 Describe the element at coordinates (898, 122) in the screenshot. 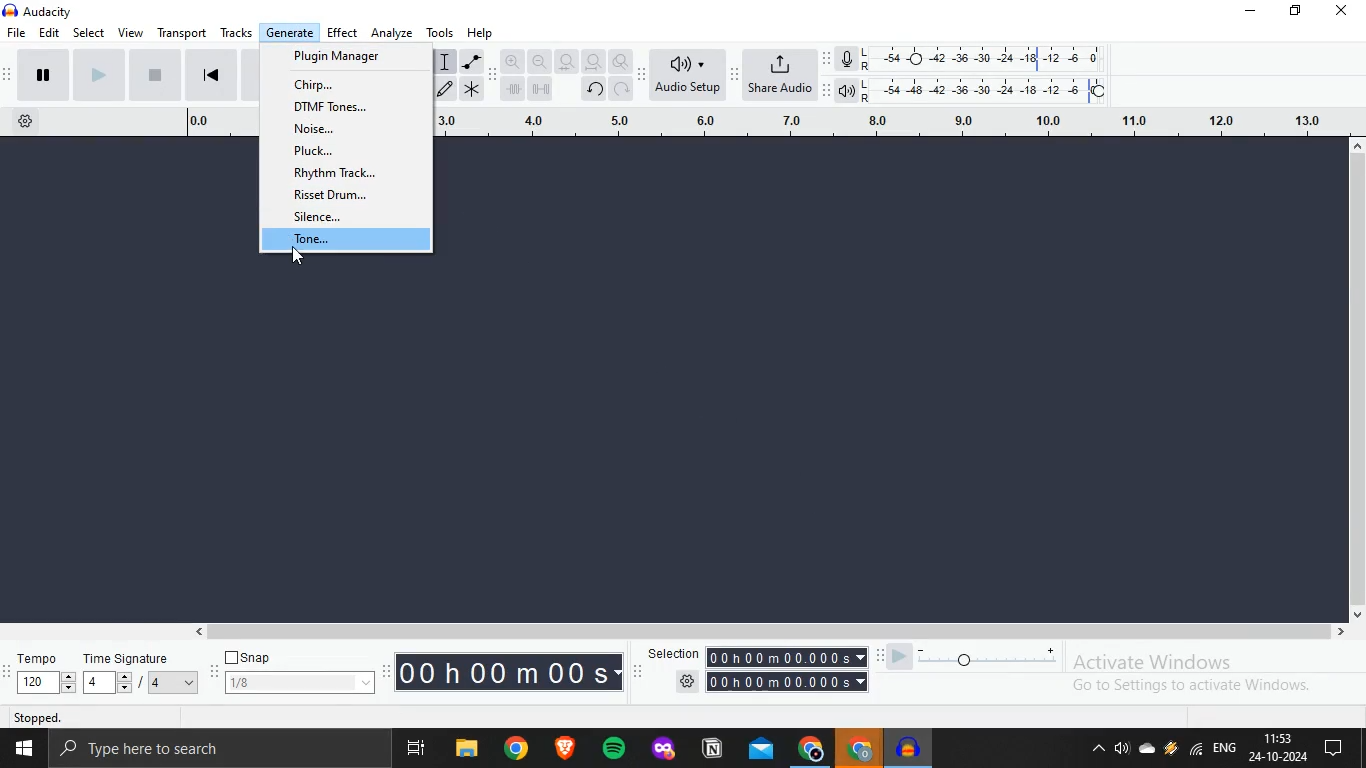

I see `3.0 40 20 60 Led 80 20 10.0 10 120 130
| 1 a NT Cl` at that location.